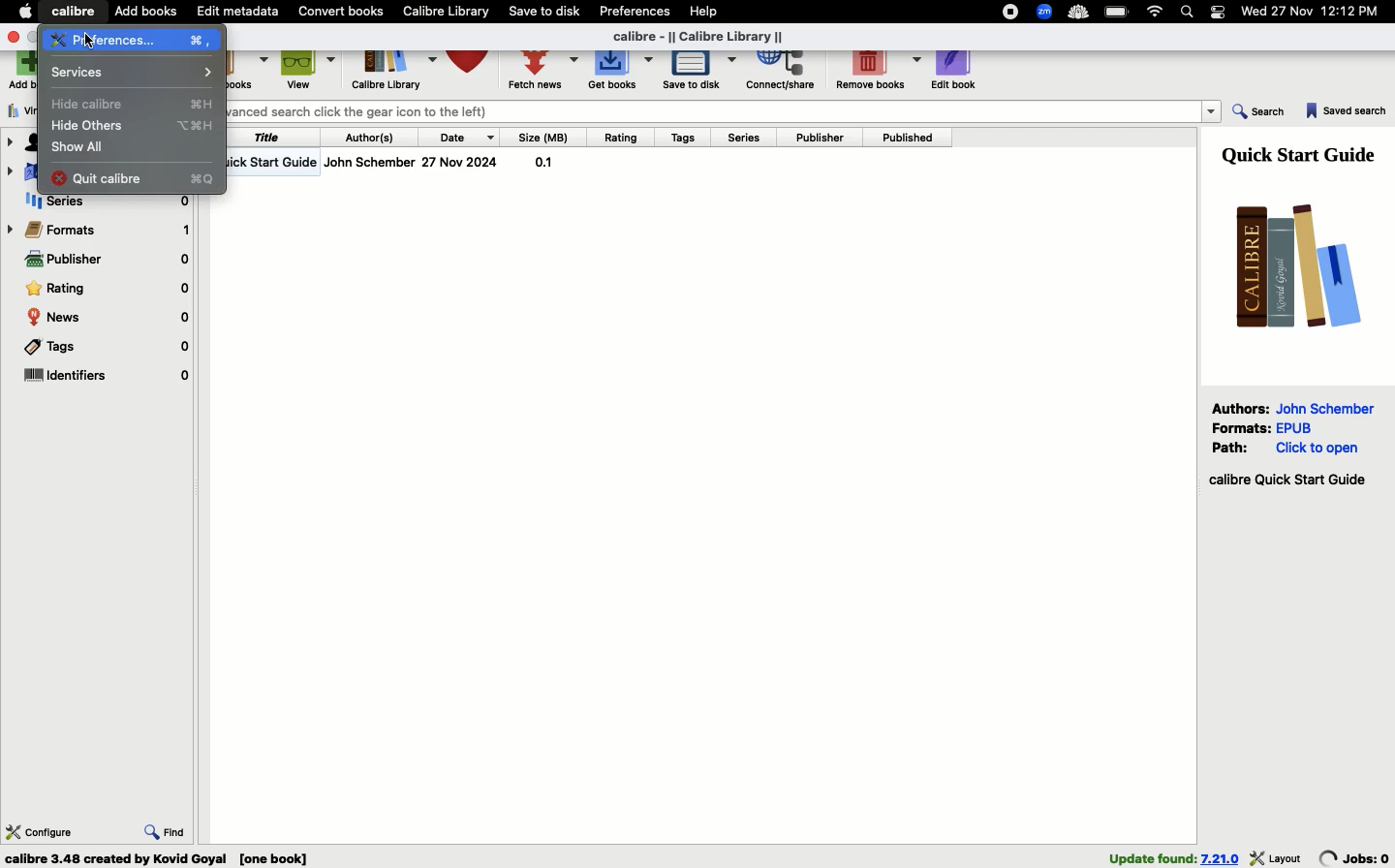 This screenshot has height=868, width=1395. Describe the element at coordinates (100, 230) in the screenshot. I see `Formats` at that location.